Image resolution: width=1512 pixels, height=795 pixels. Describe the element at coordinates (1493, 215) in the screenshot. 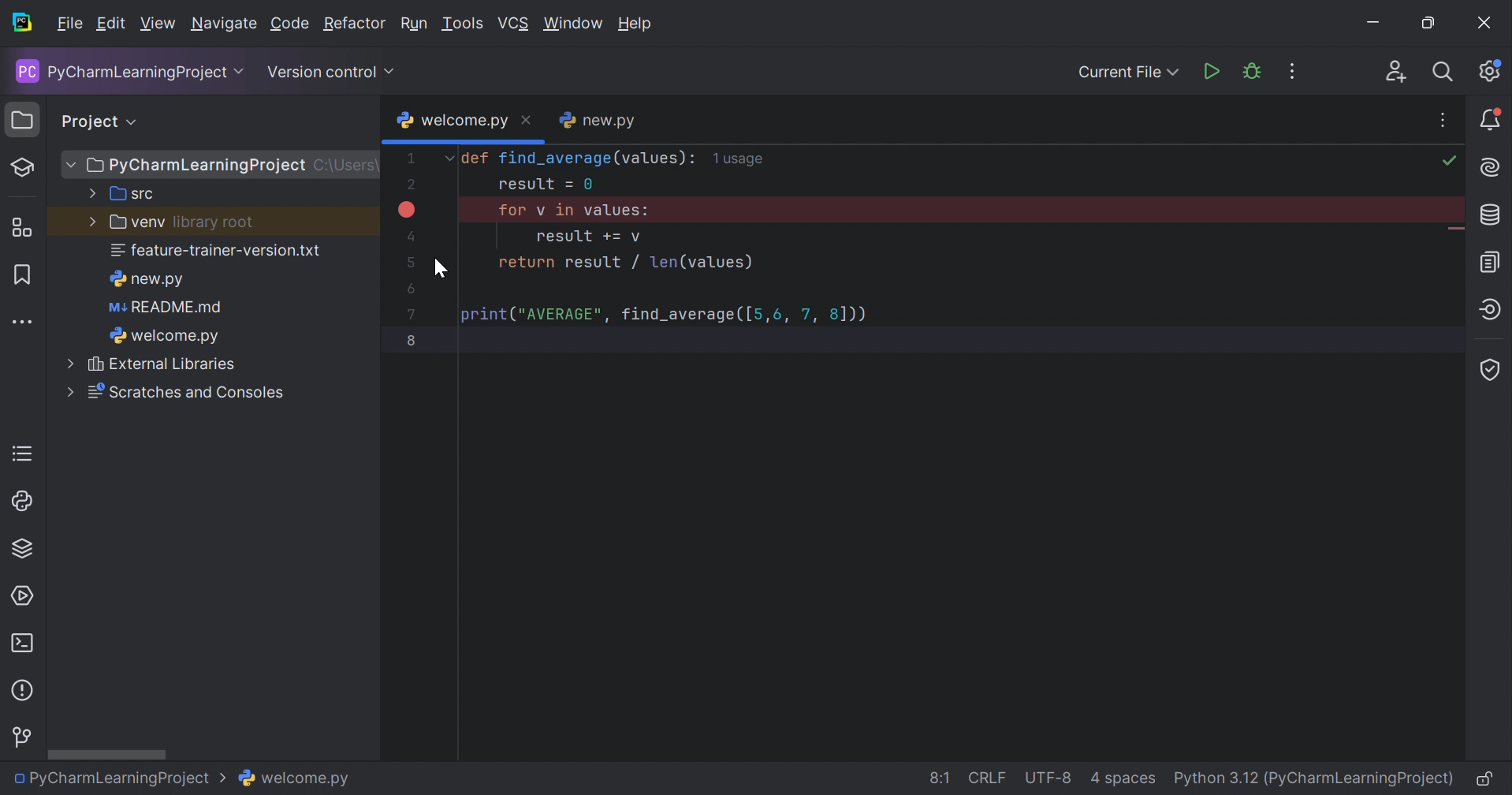

I see `Database` at that location.